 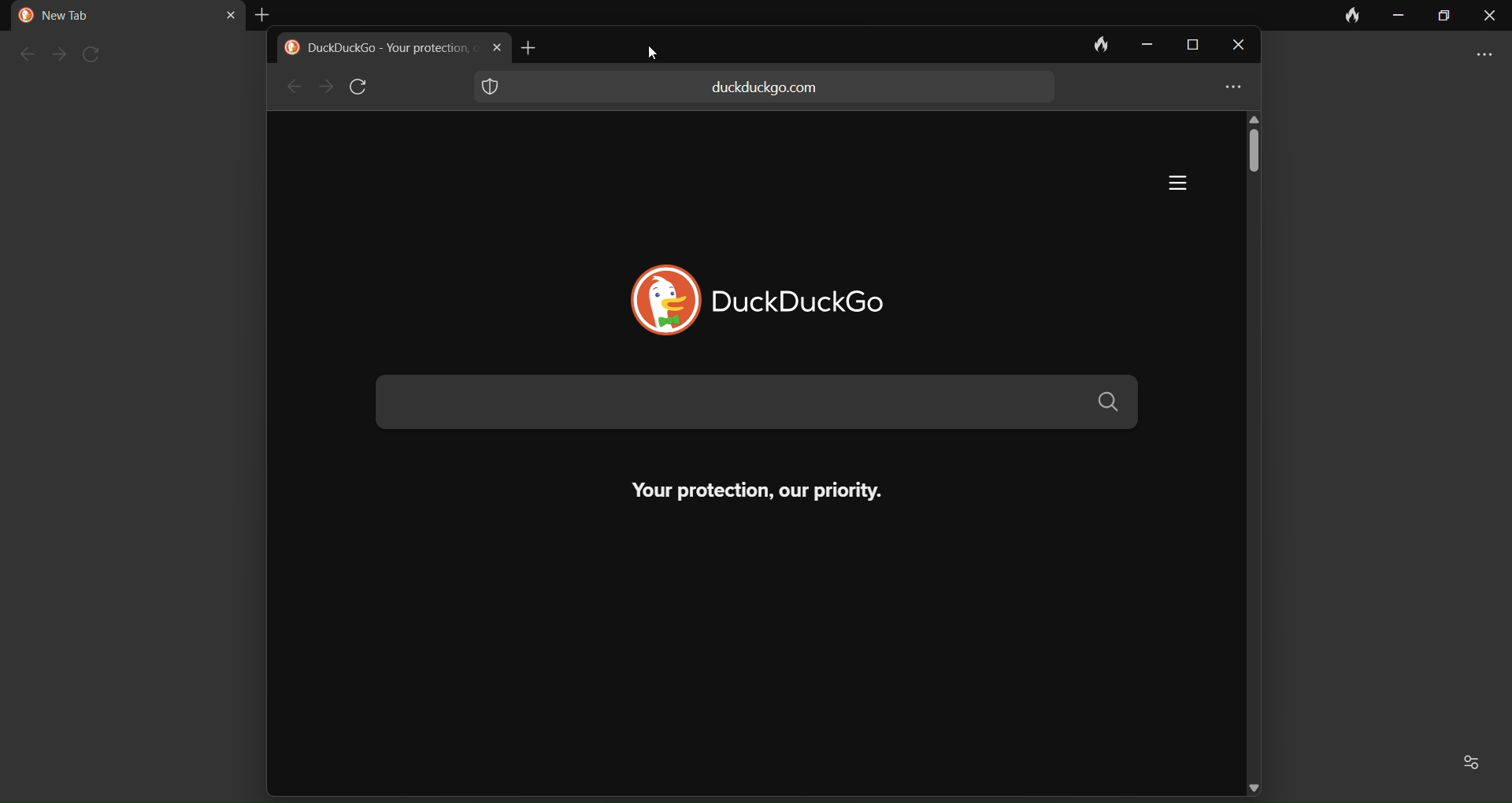 I want to click on scrollbar, so click(x=1255, y=165).